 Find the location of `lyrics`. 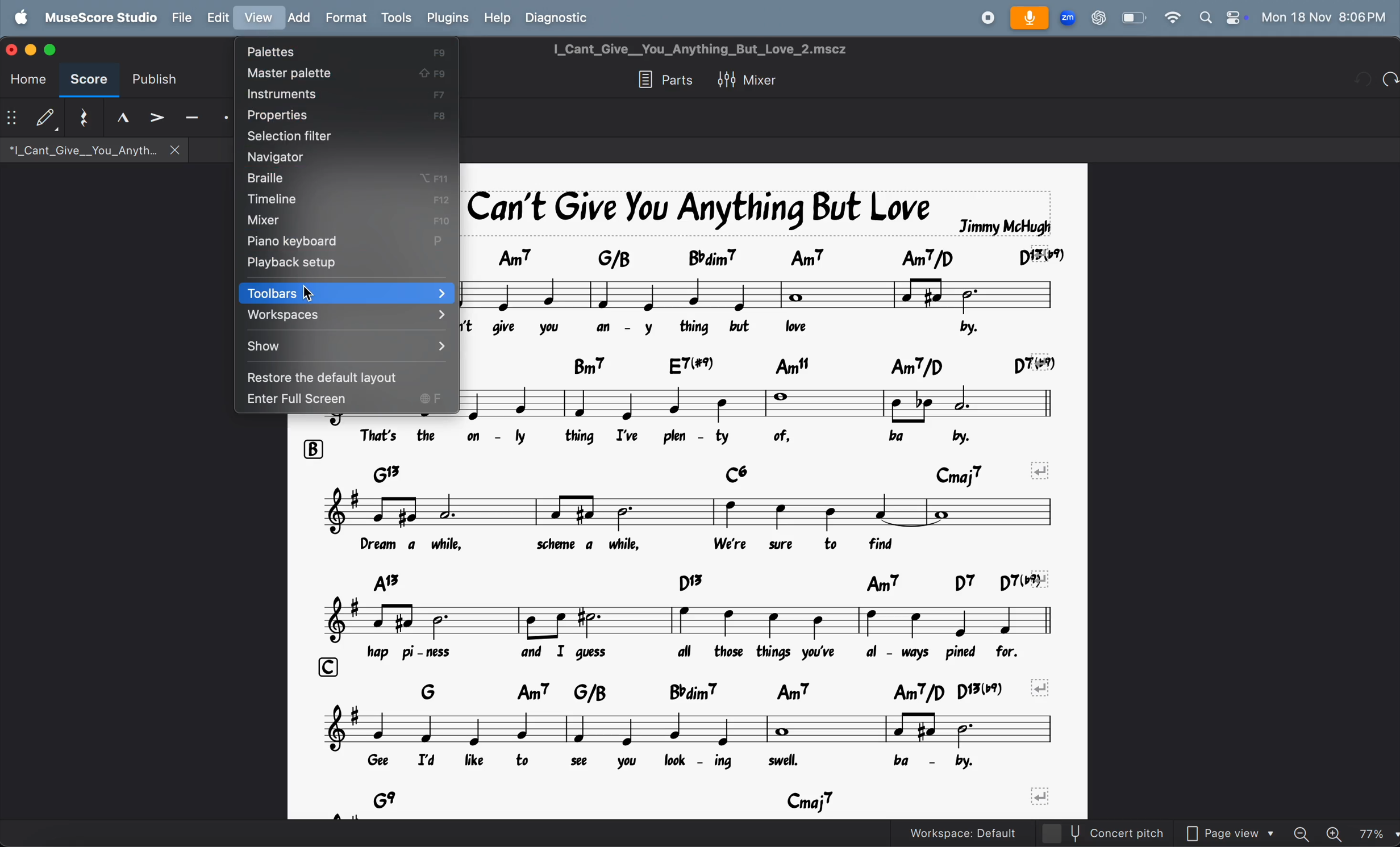

lyrics is located at coordinates (691, 762).